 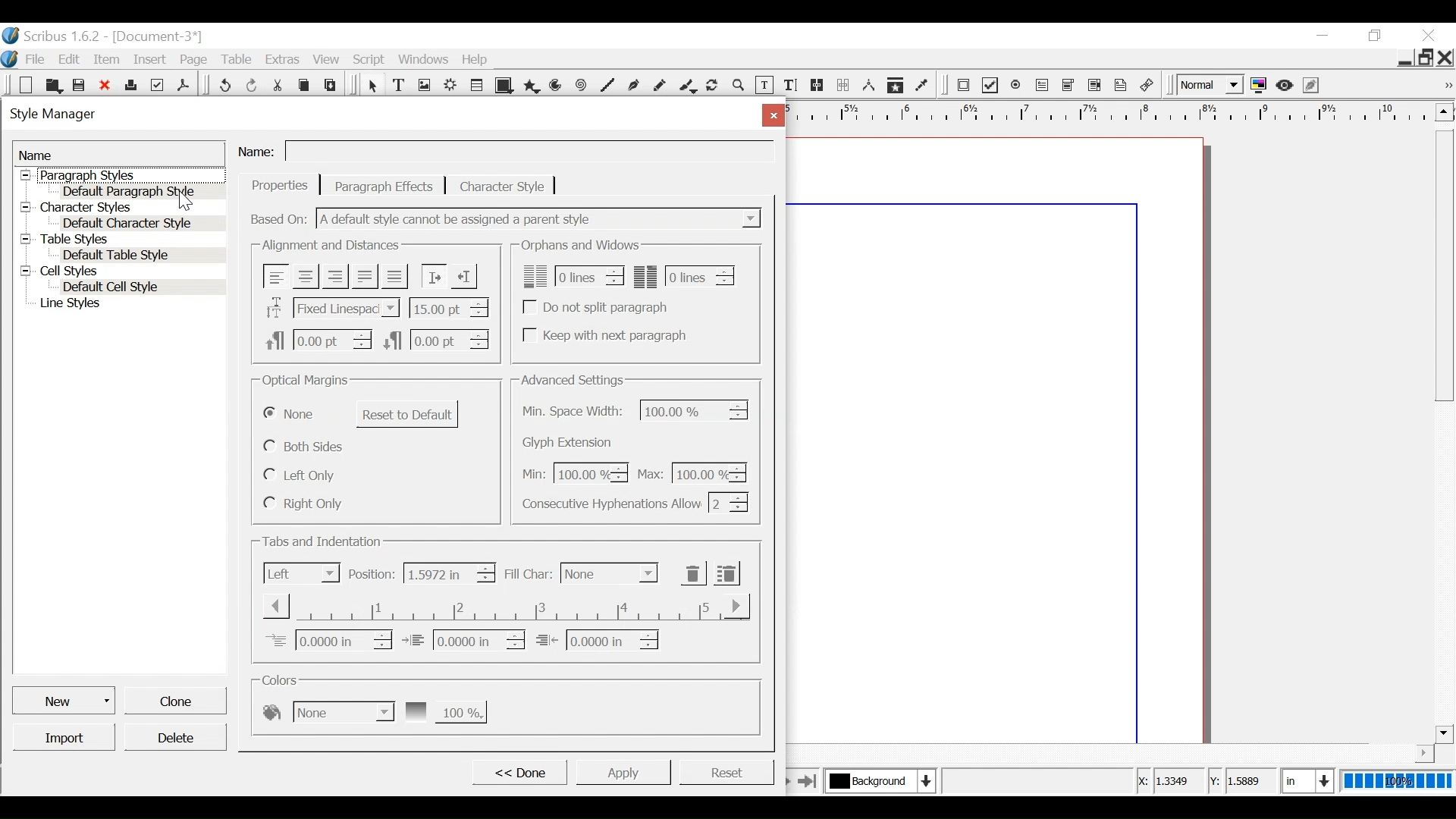 What do you see at coordinates (1147, 86) in the screenshot?
I see `link Annotation` at bounding box center [1147, 86].